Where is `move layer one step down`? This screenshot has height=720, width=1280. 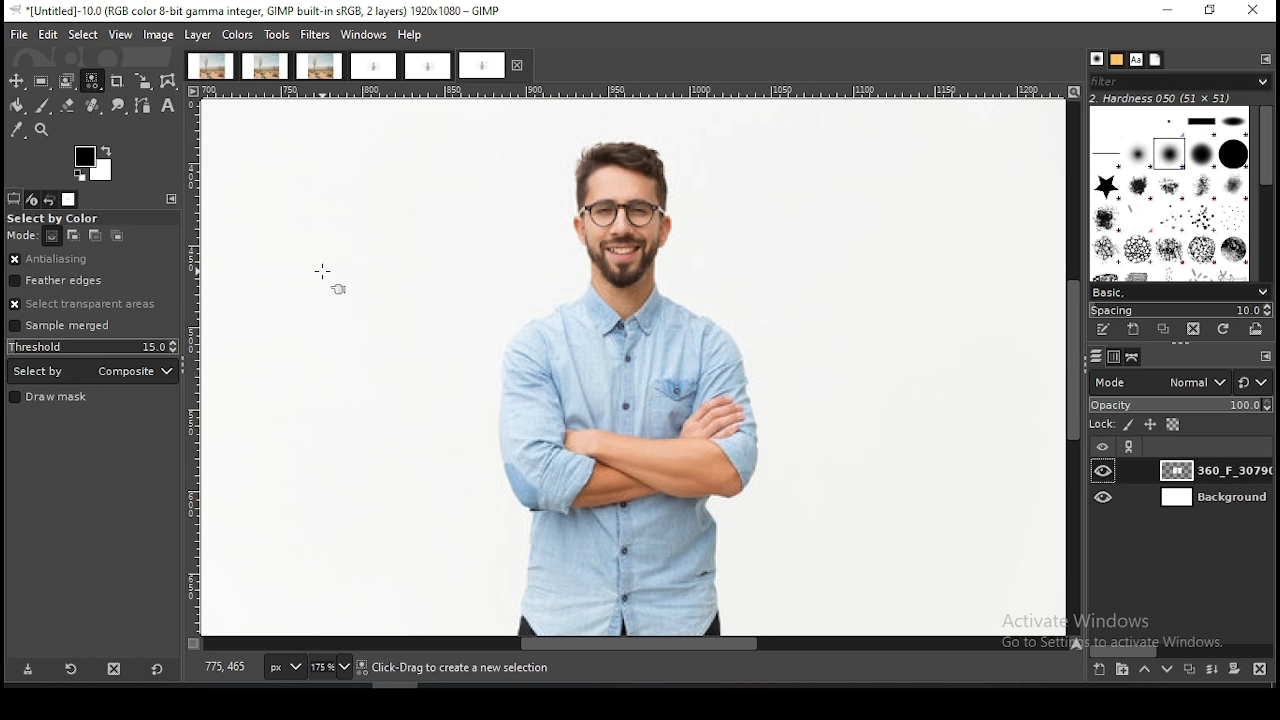 move layer one step down is located at coordinates (1164, 669).